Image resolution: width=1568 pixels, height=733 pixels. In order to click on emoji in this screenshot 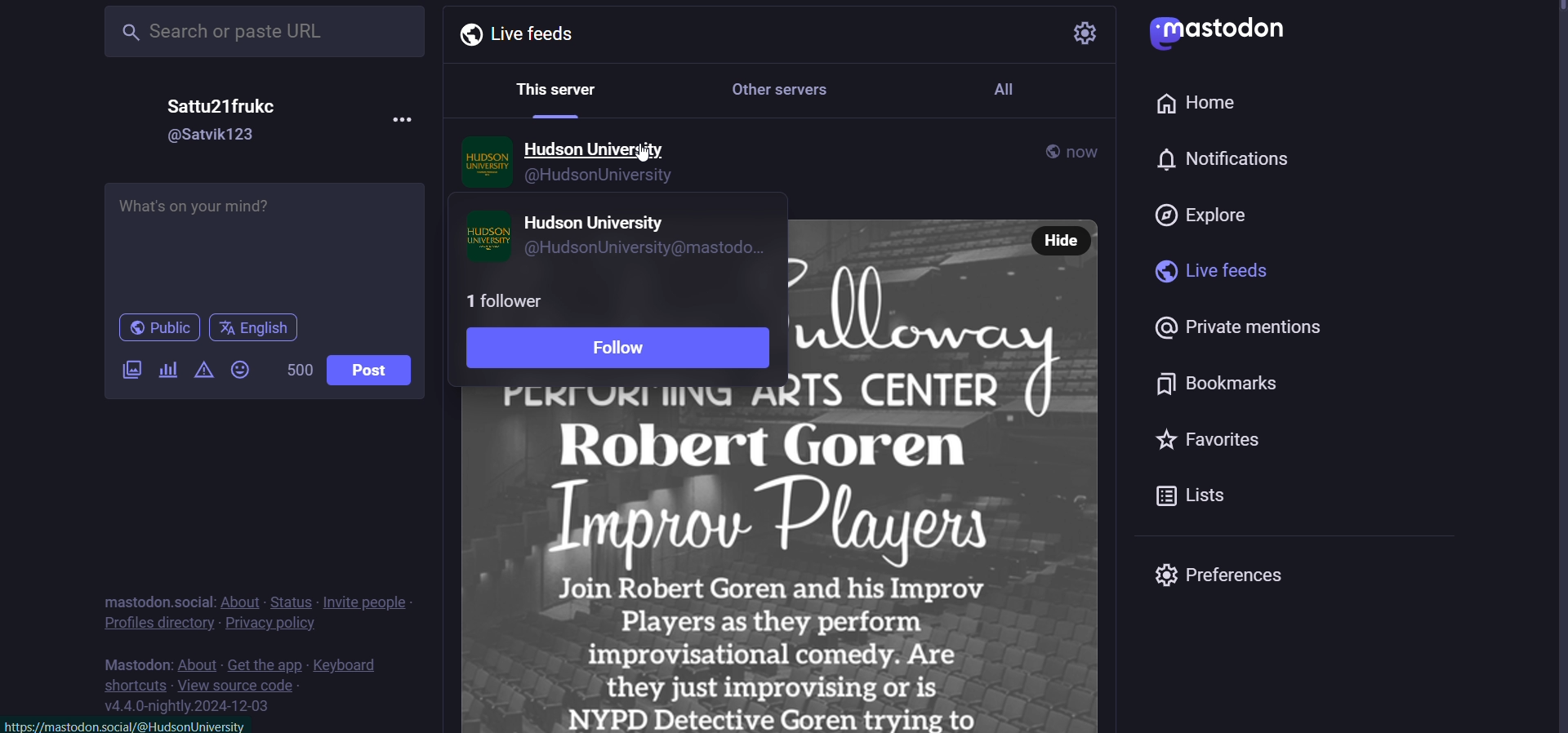, I will do `click(239, 371)`.